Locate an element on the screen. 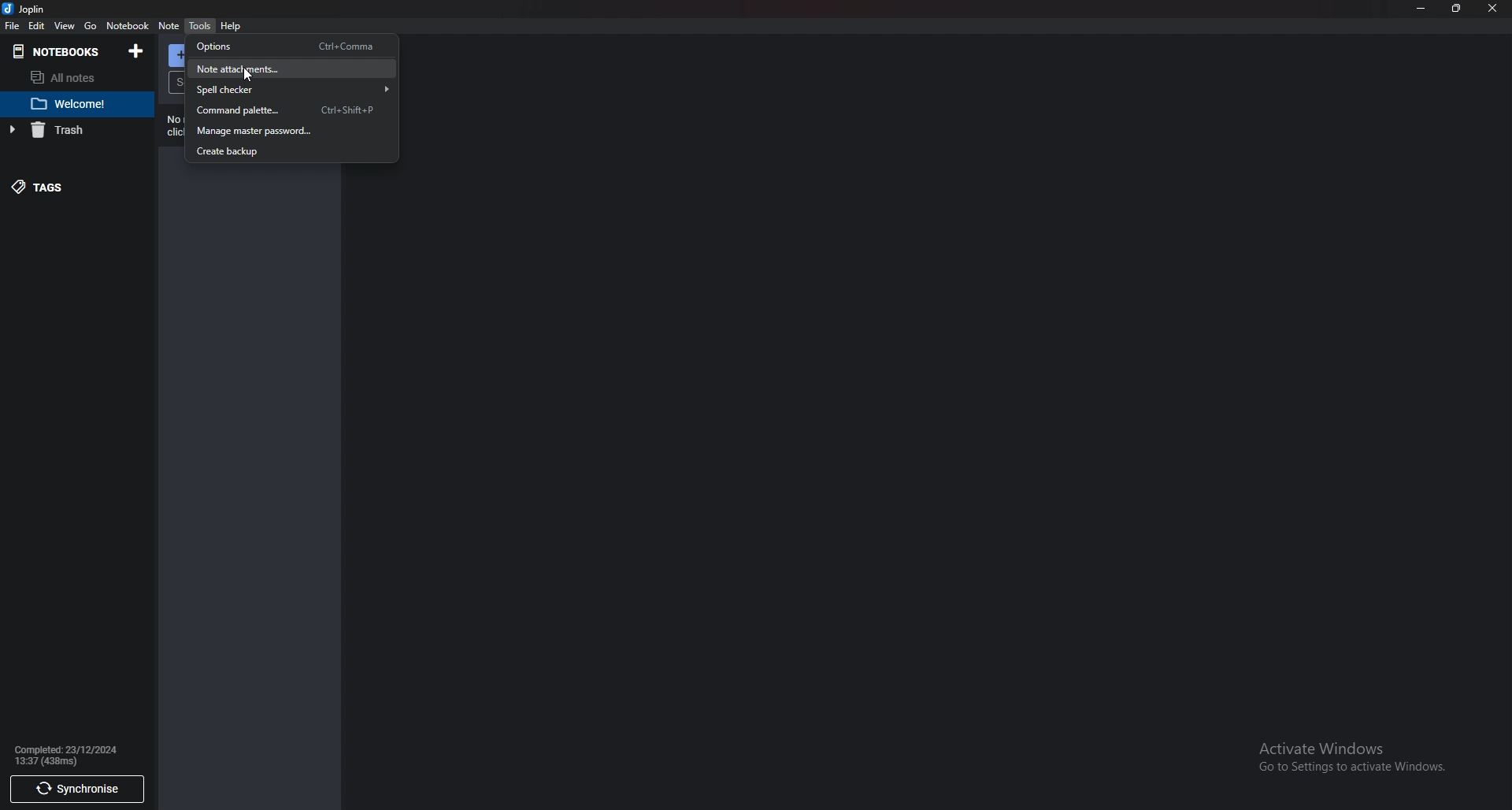  Resize is located at coordinates (1455, 8).